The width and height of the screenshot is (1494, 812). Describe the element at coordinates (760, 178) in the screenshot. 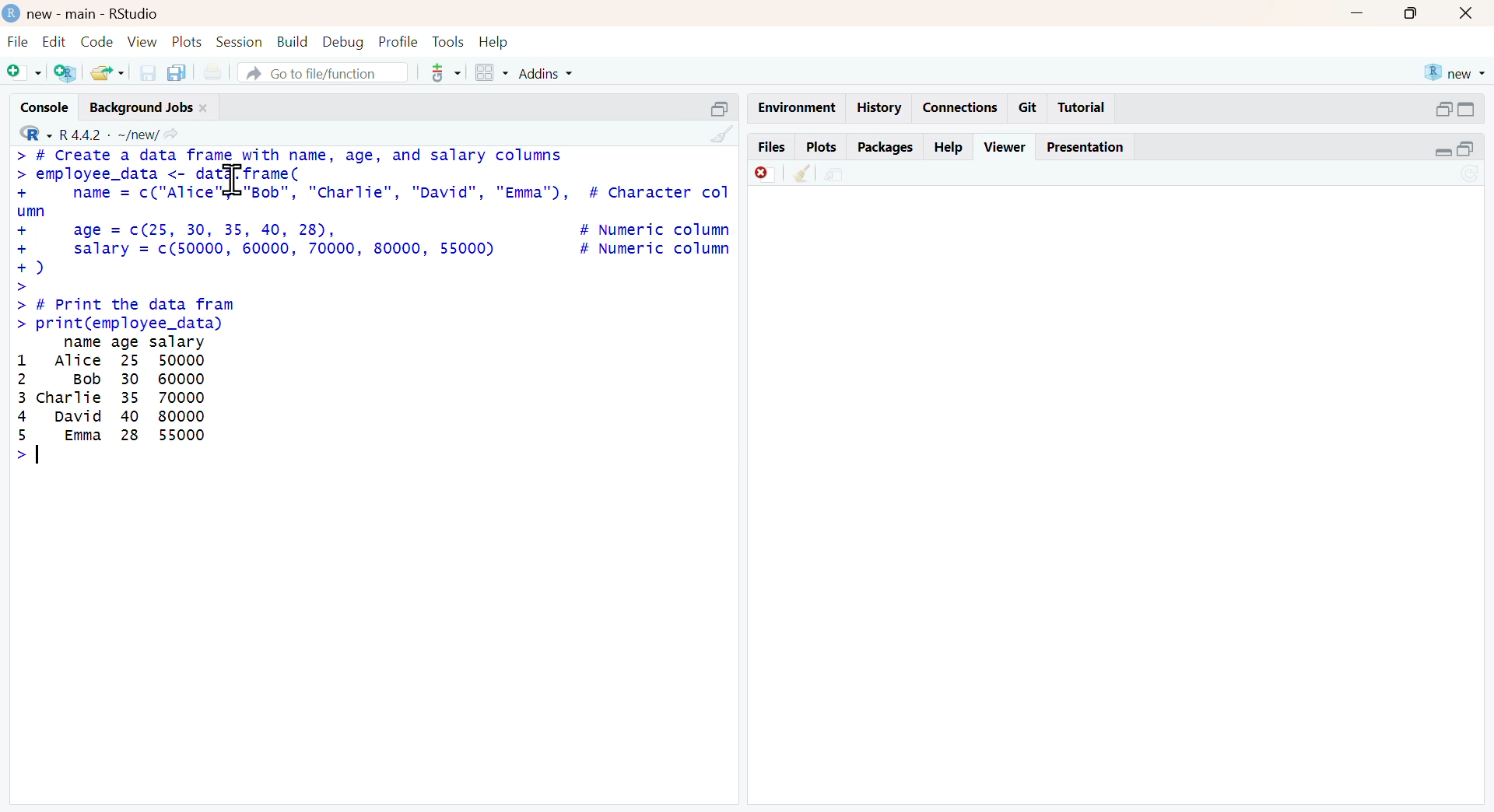

I see `Remove currrent viewer item` at that location.